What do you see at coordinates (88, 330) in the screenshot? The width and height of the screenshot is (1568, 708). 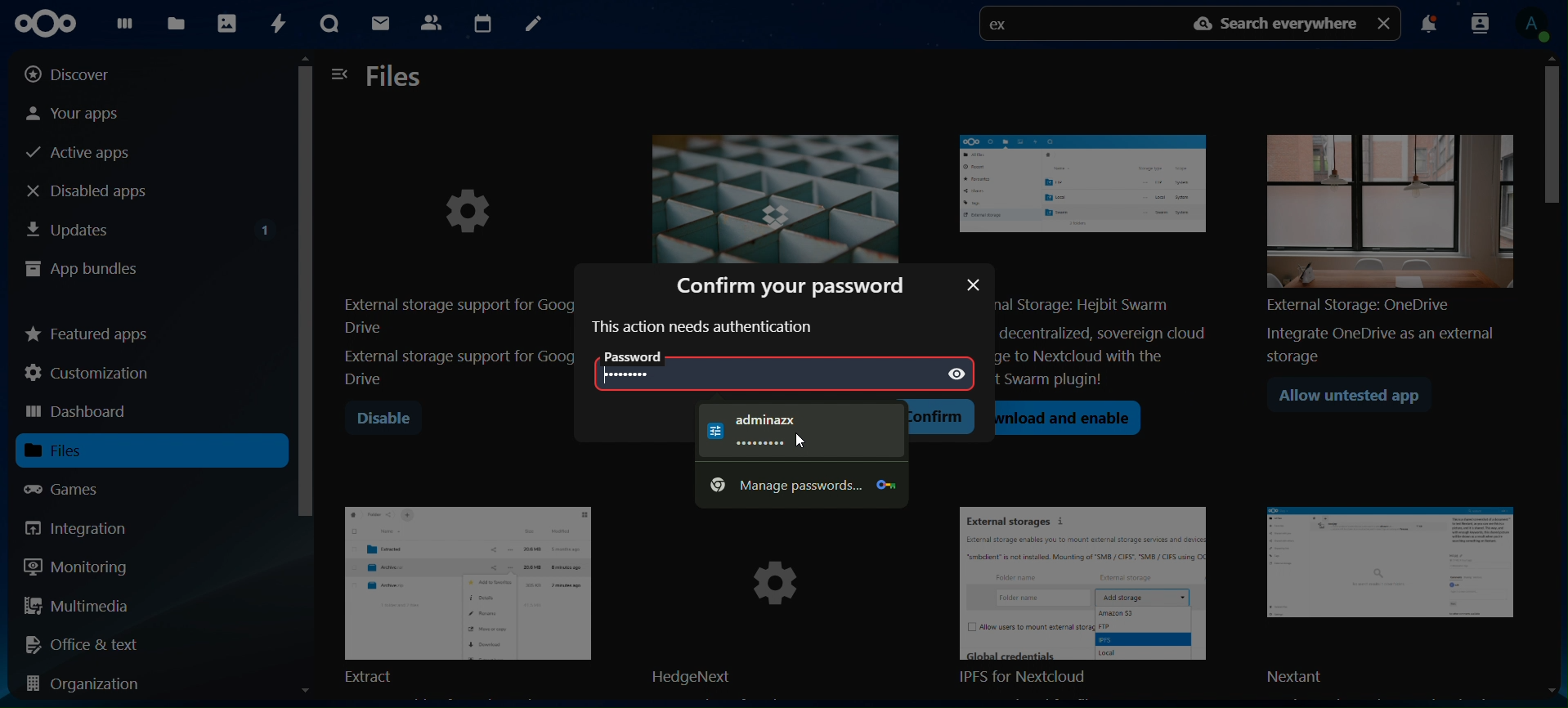 I see `featured apps` at bounding box center [88, 330].